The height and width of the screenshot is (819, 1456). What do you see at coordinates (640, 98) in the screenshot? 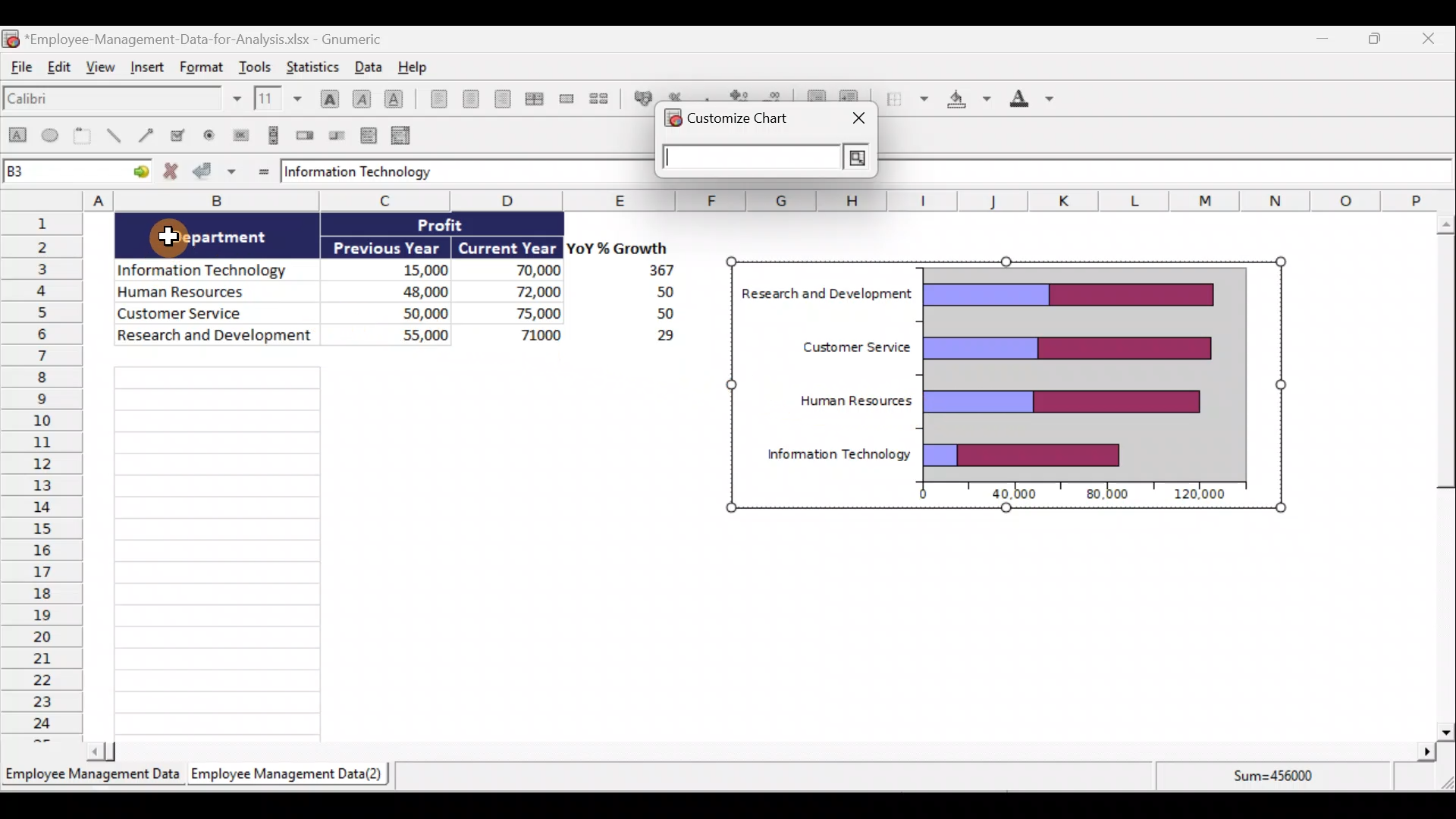
I see `Format the selection as accounting` at bounding box center [640, 98].